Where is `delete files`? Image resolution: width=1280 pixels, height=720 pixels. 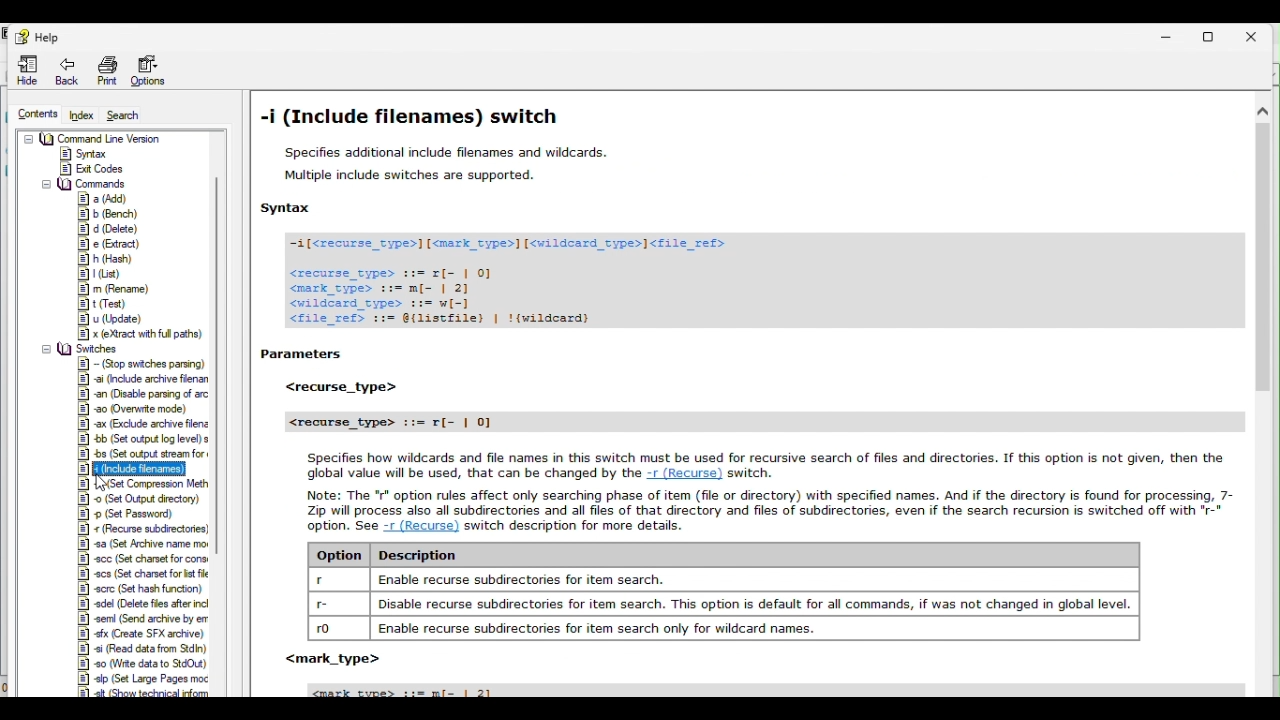
delete files is located at coordinates (143, 607).